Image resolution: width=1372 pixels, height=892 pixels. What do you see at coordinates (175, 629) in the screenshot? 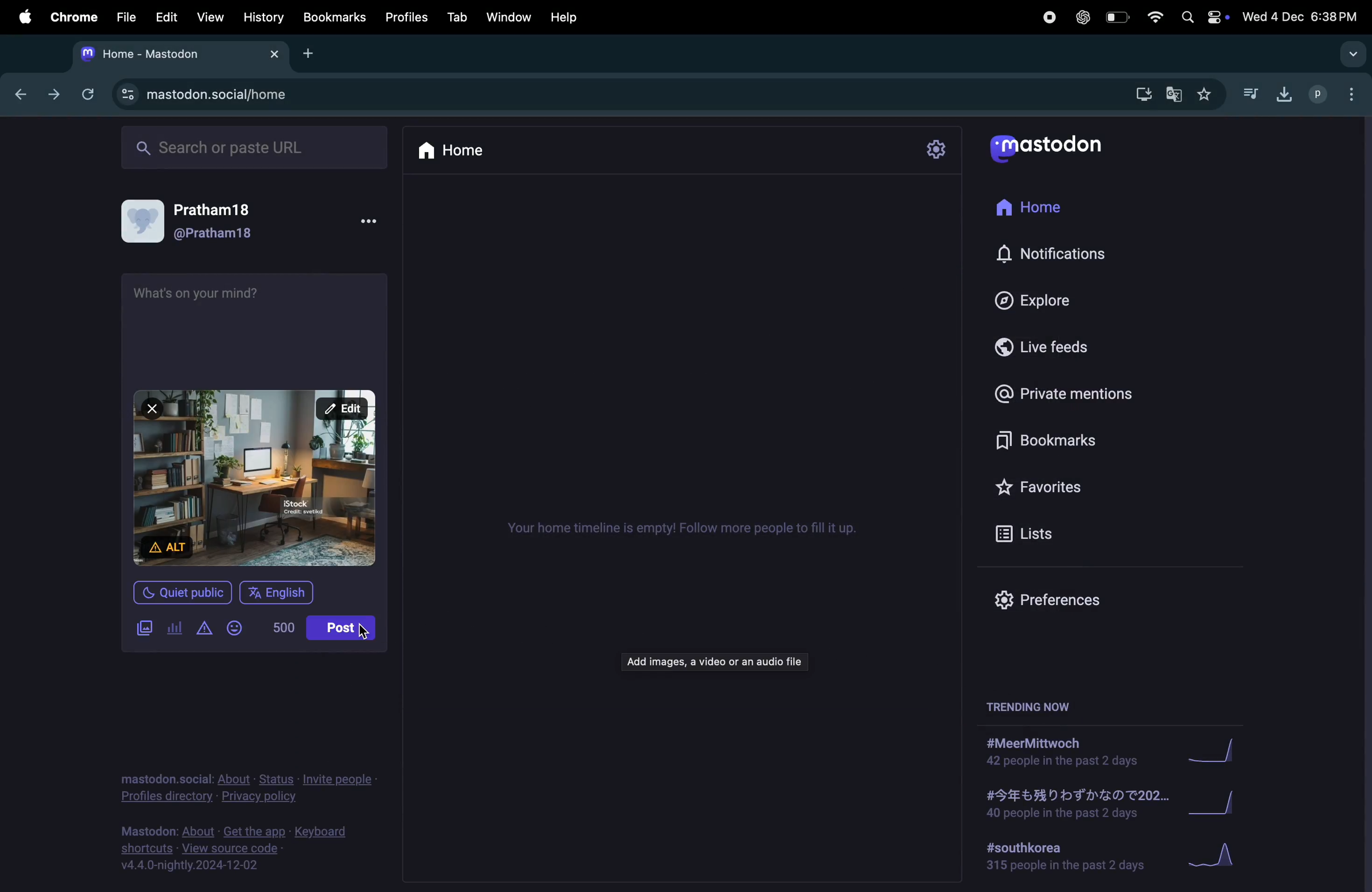
I see `poll` at bounding box center [175, 629].